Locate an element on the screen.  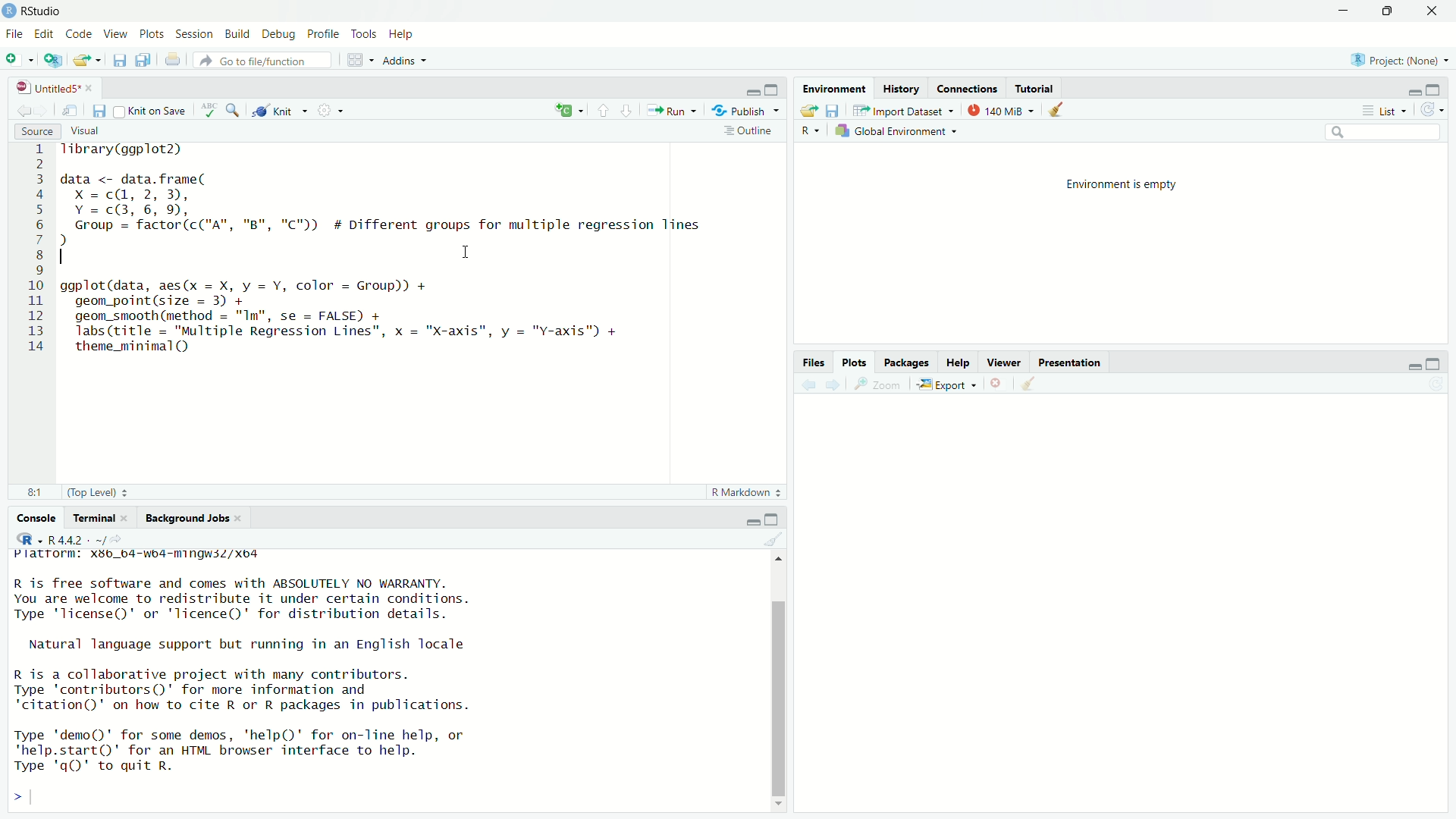
back is located at coordinates (807, 385).